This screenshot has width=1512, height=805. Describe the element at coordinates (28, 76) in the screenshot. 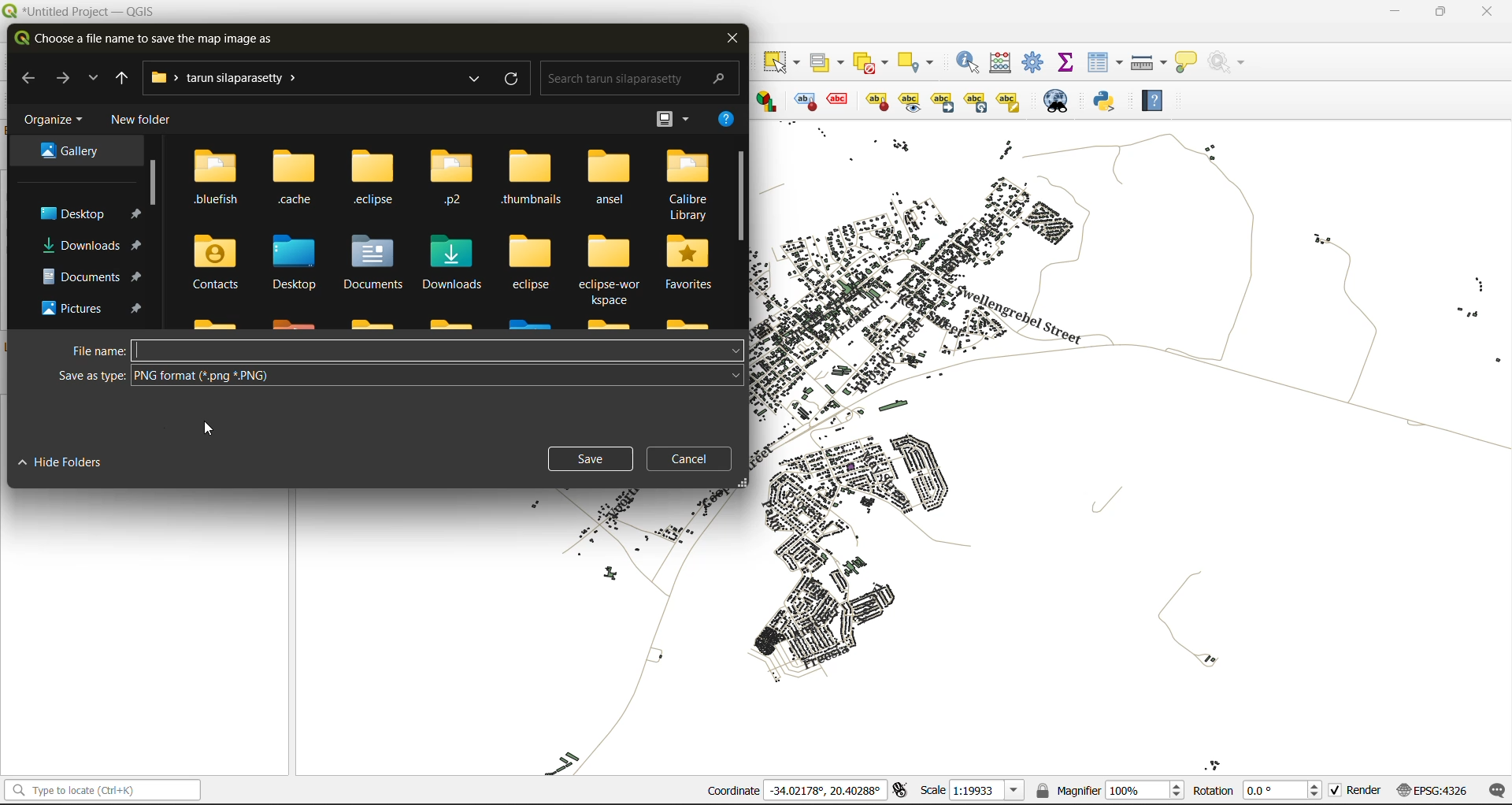

I see `back` at that location.